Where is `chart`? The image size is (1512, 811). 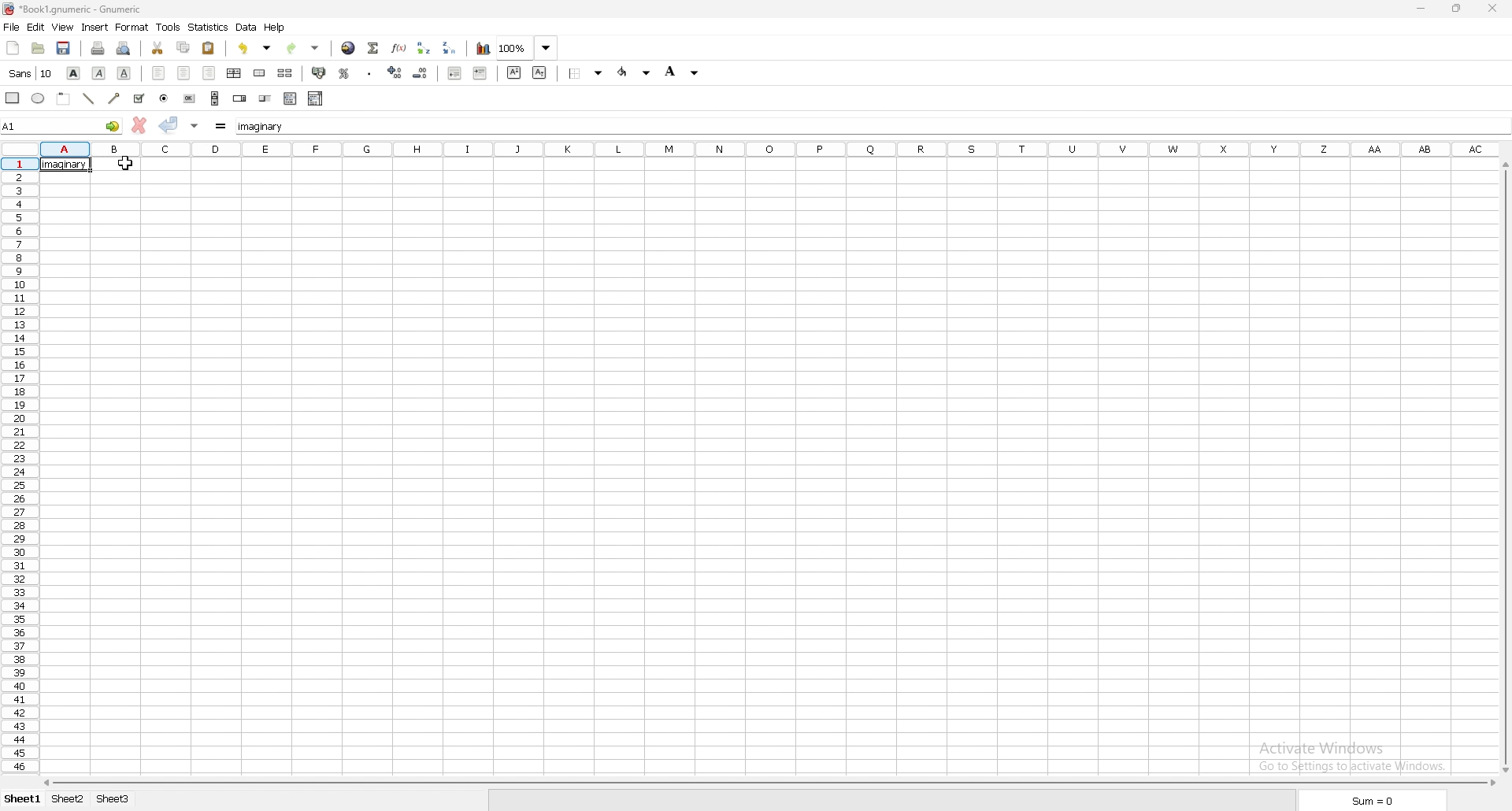 chart is located at coordinates (483, 49).